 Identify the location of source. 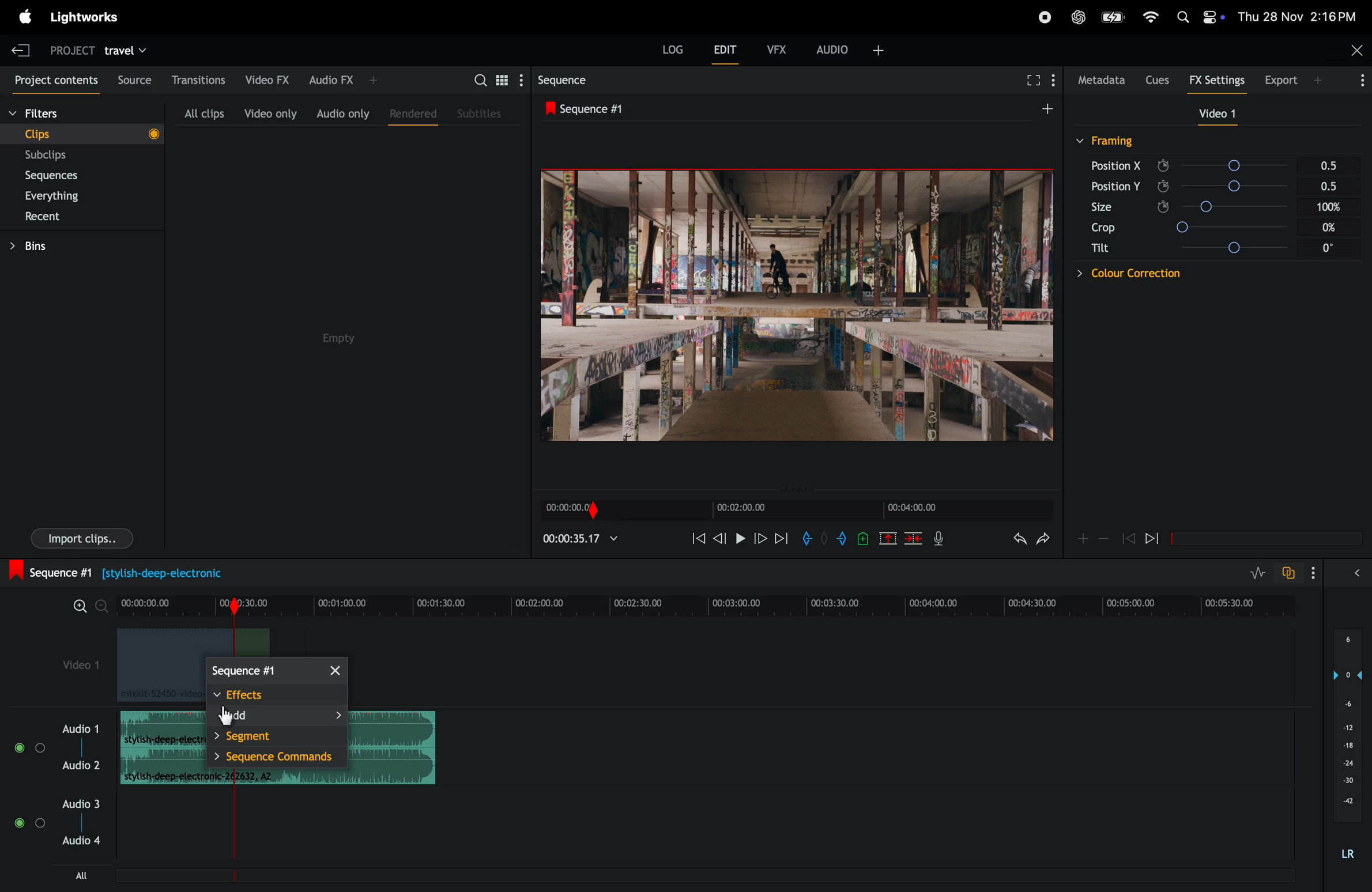
(131, 80).